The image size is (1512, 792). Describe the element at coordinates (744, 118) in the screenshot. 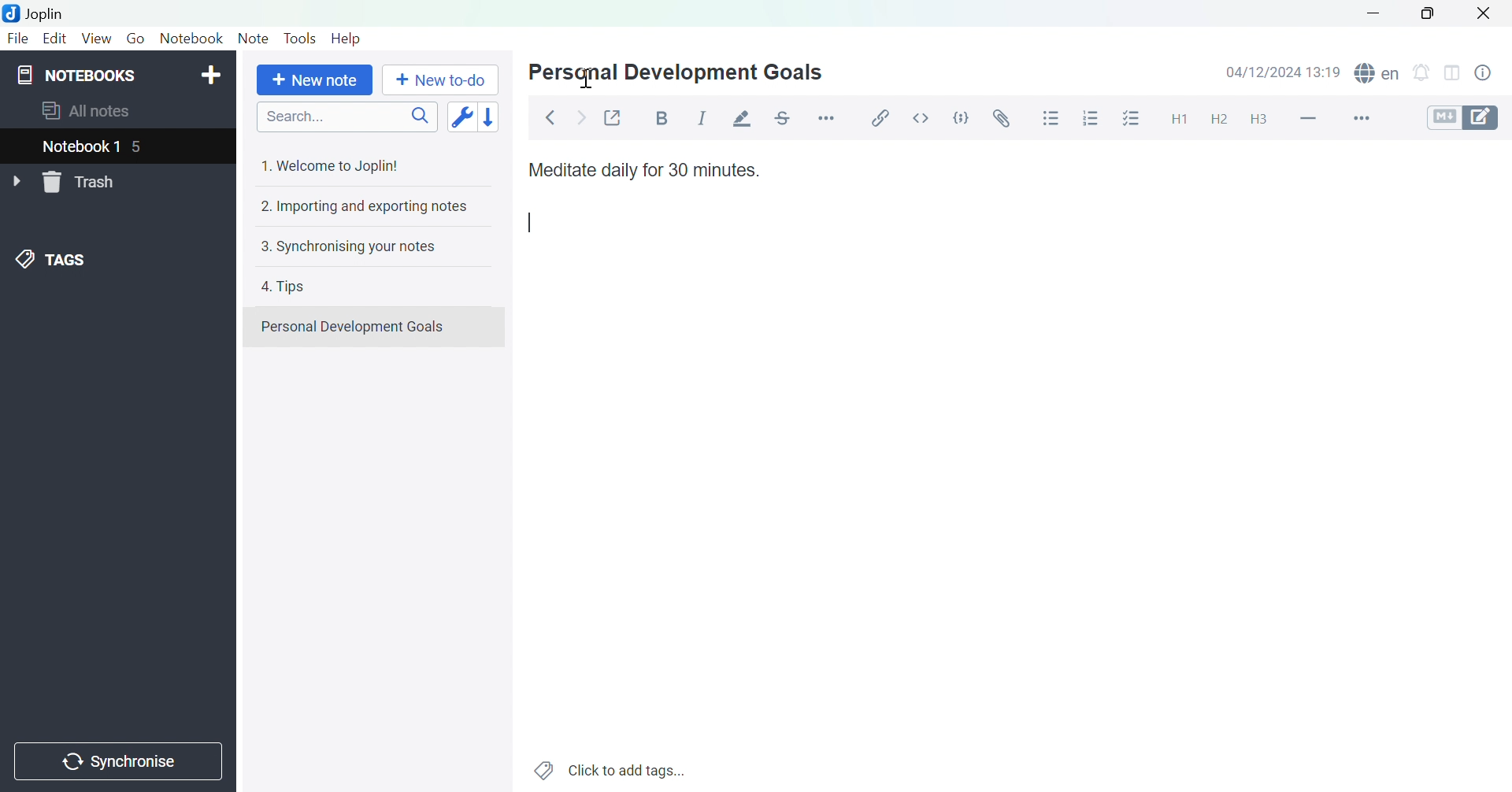

I see `Highlight` at that location.